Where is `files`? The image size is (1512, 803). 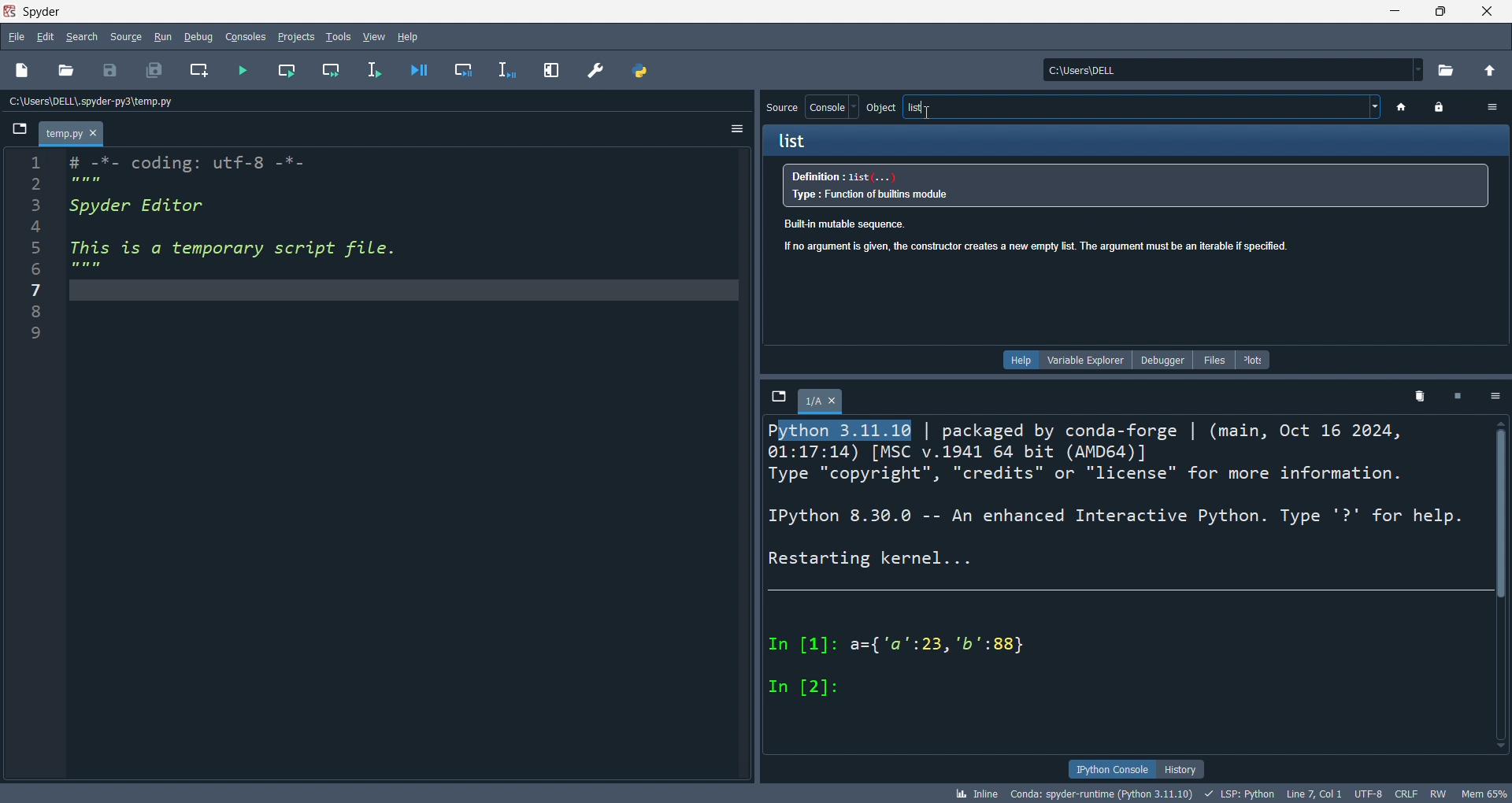
files is located at coordinates (1210, 358).